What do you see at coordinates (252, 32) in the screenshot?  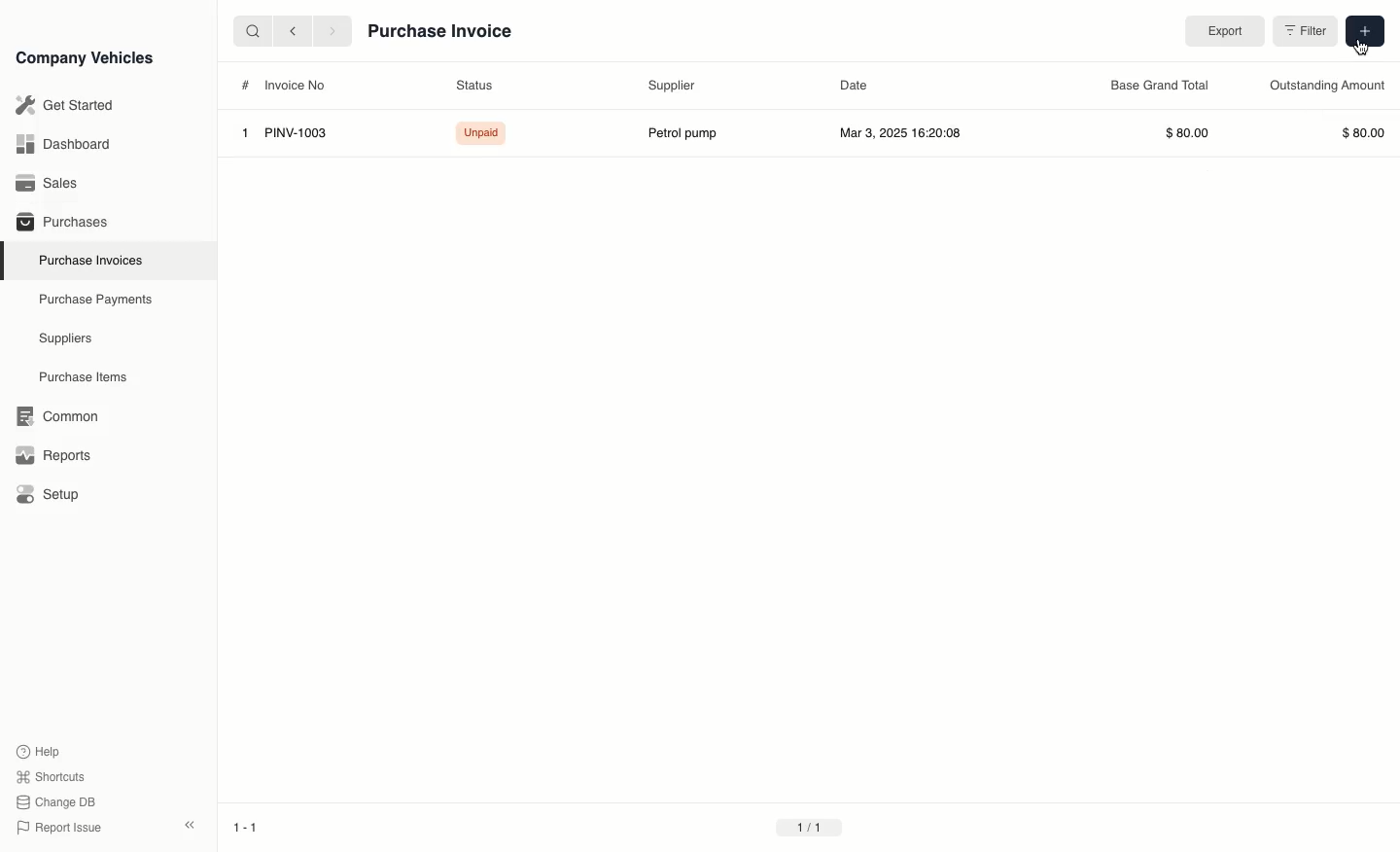 I see `search` at bounding box center [252, 32].